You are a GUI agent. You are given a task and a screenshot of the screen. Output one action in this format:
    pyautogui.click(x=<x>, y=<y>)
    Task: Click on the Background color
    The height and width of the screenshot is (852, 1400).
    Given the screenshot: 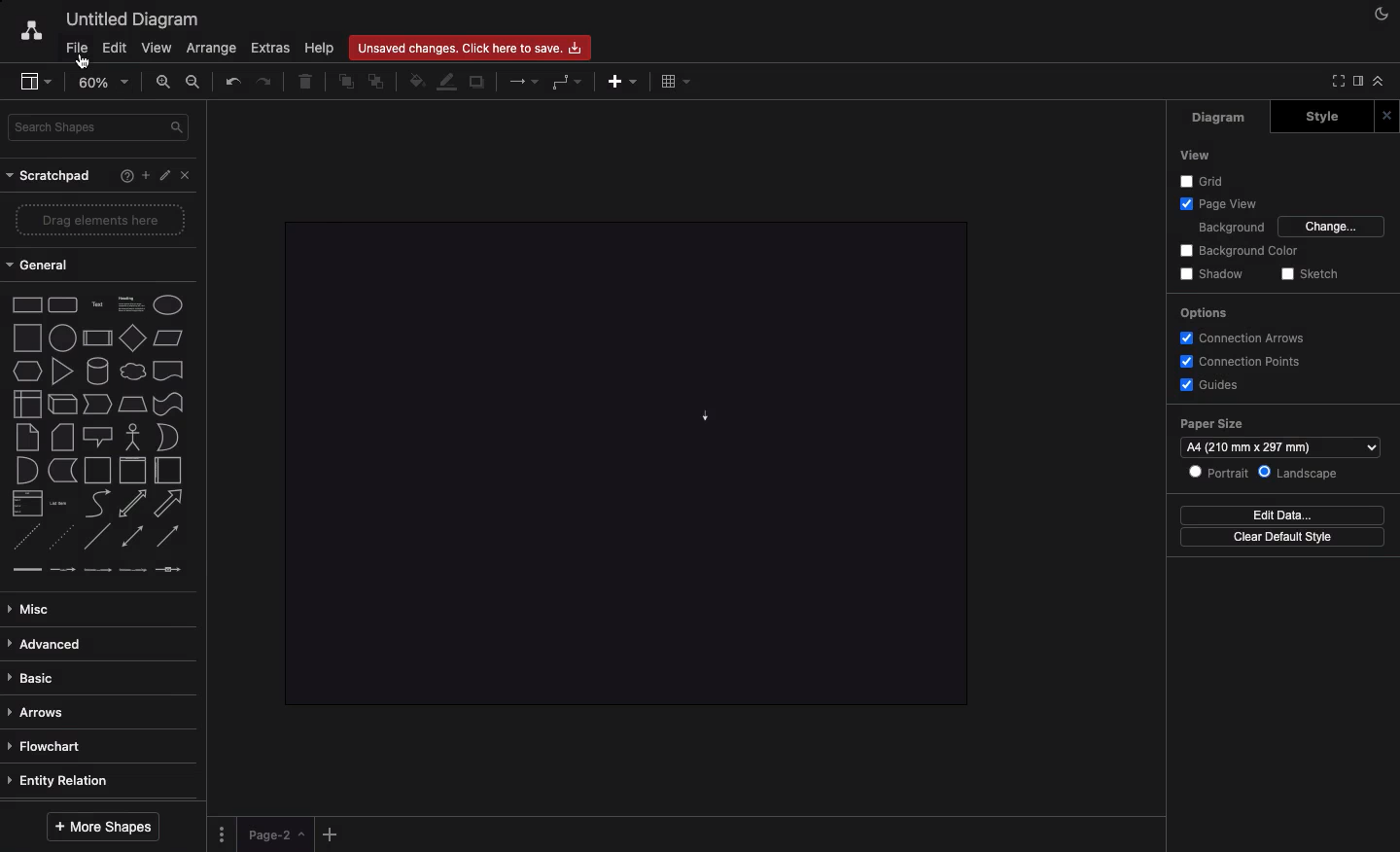 What is the action you would take?
    pyautogui.click(x=1241, y=251)
    